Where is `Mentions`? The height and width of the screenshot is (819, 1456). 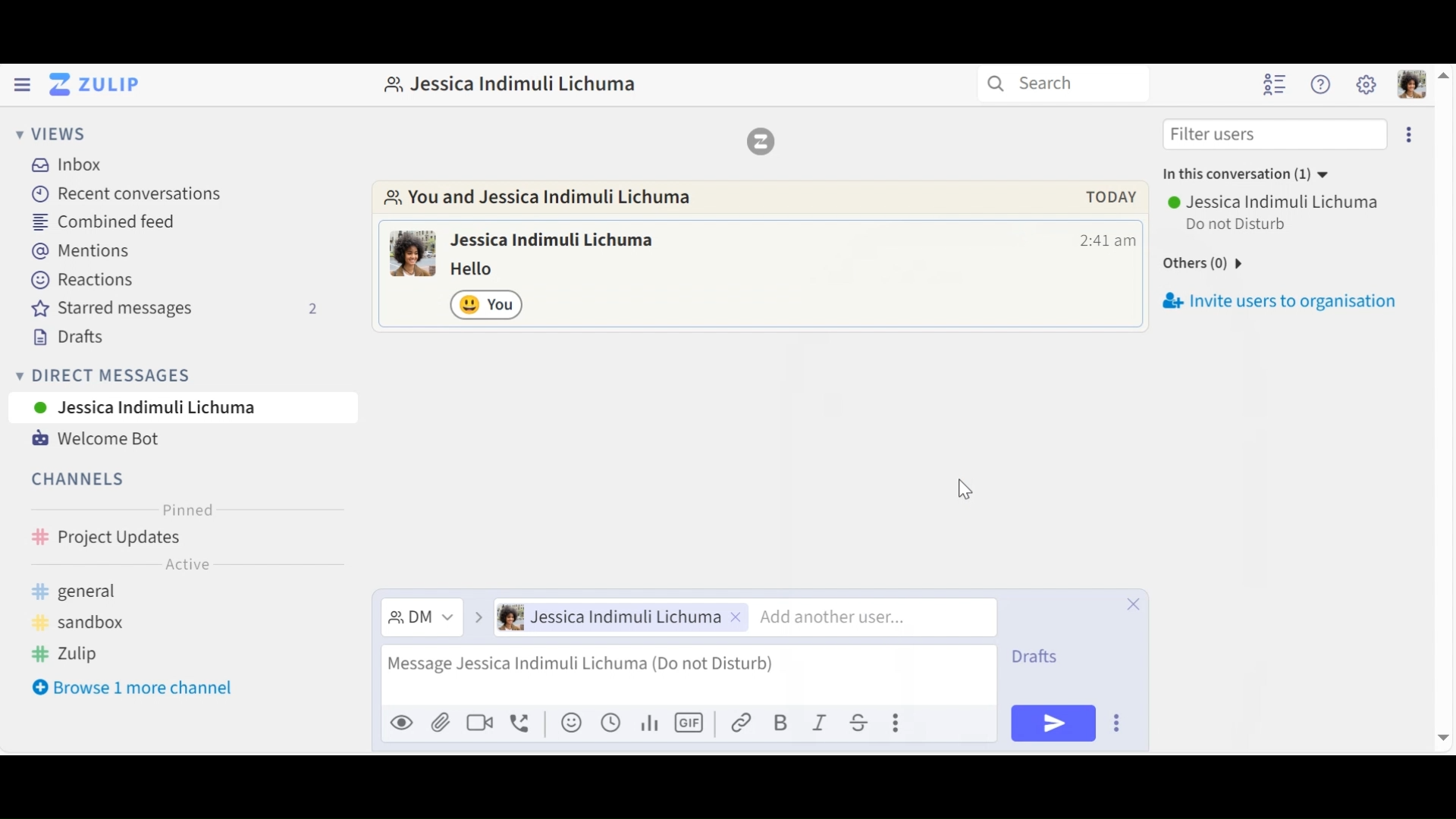
Mentions is located at coordinates (80, 252).